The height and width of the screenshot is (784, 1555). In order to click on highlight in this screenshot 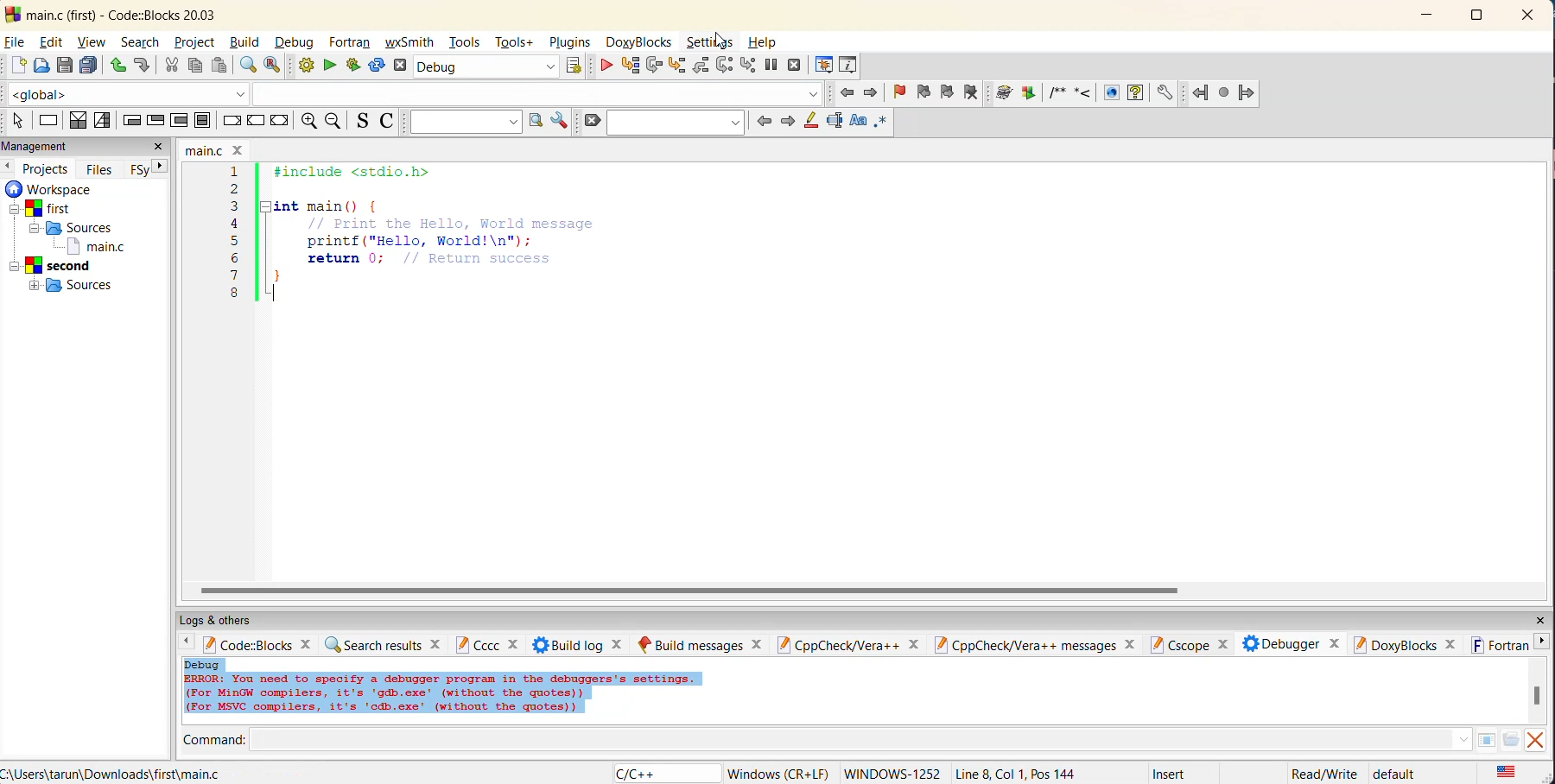, I will do `click(814, 122)`.